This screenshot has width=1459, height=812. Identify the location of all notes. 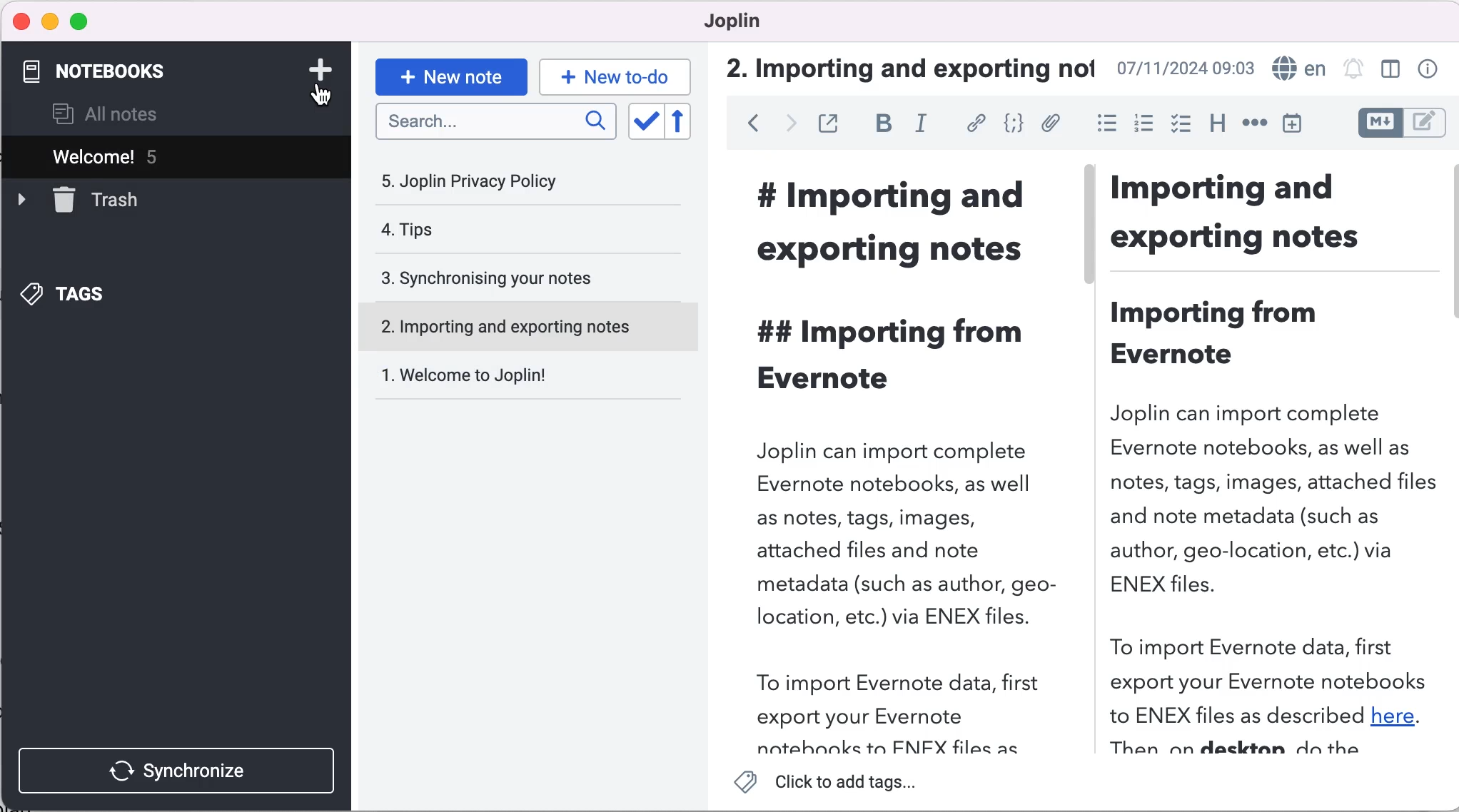
(105, 116).